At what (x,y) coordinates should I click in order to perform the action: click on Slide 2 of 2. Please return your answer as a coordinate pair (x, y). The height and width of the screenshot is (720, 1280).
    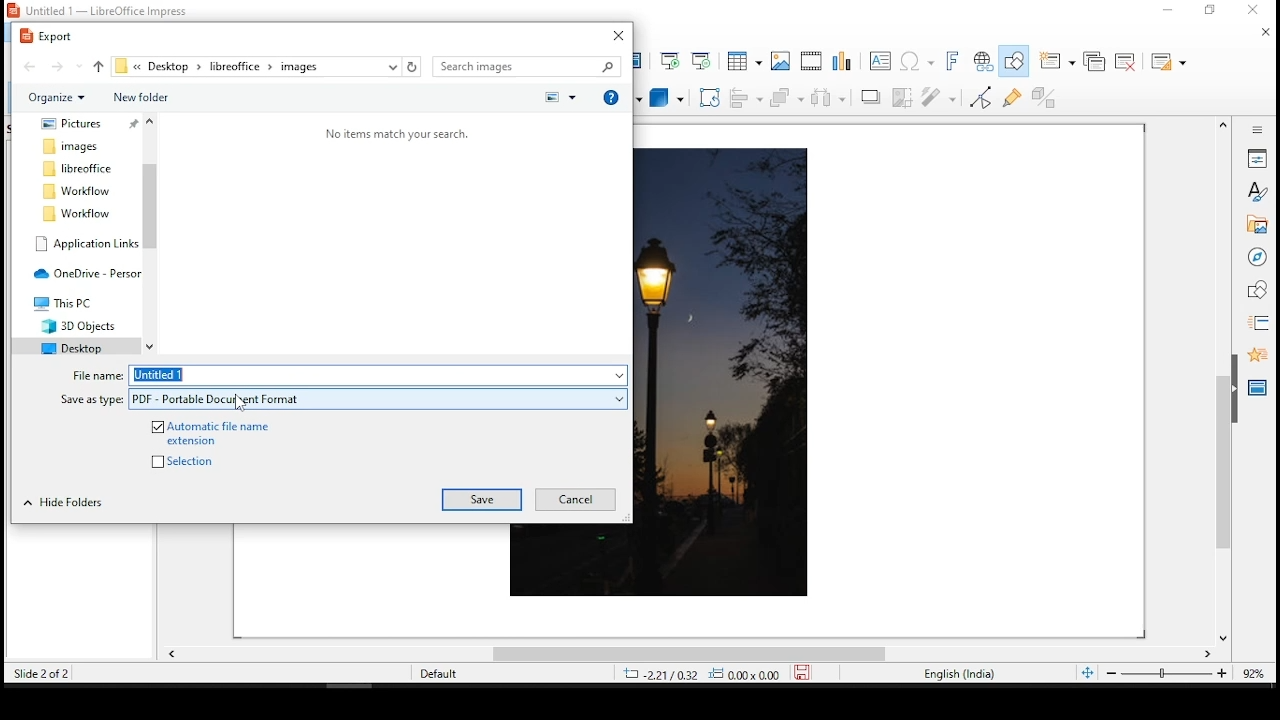
    Looking at the image, I should click on (38, 673).